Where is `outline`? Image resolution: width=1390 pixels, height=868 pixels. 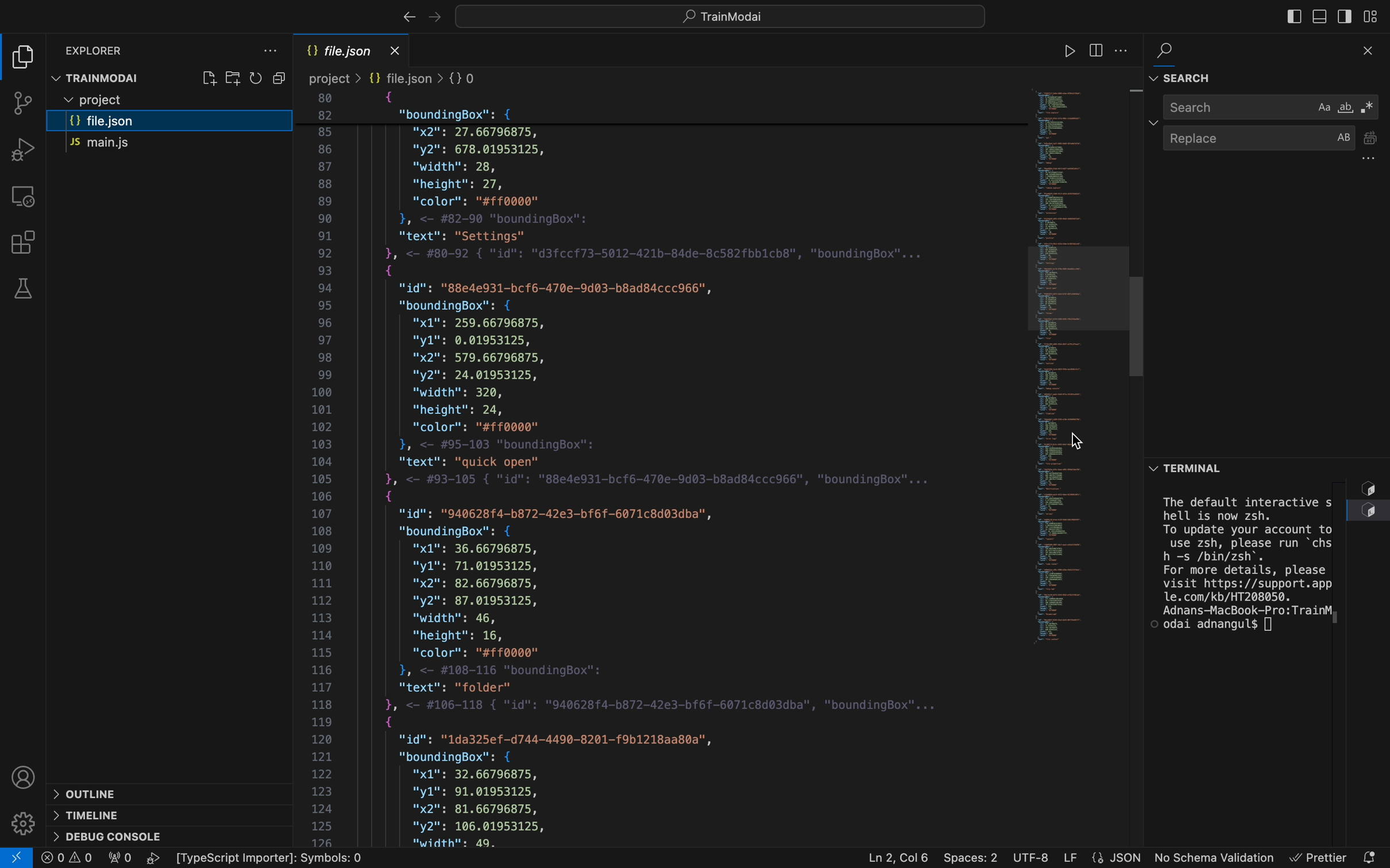
outline is located at coordinates (142, 792).